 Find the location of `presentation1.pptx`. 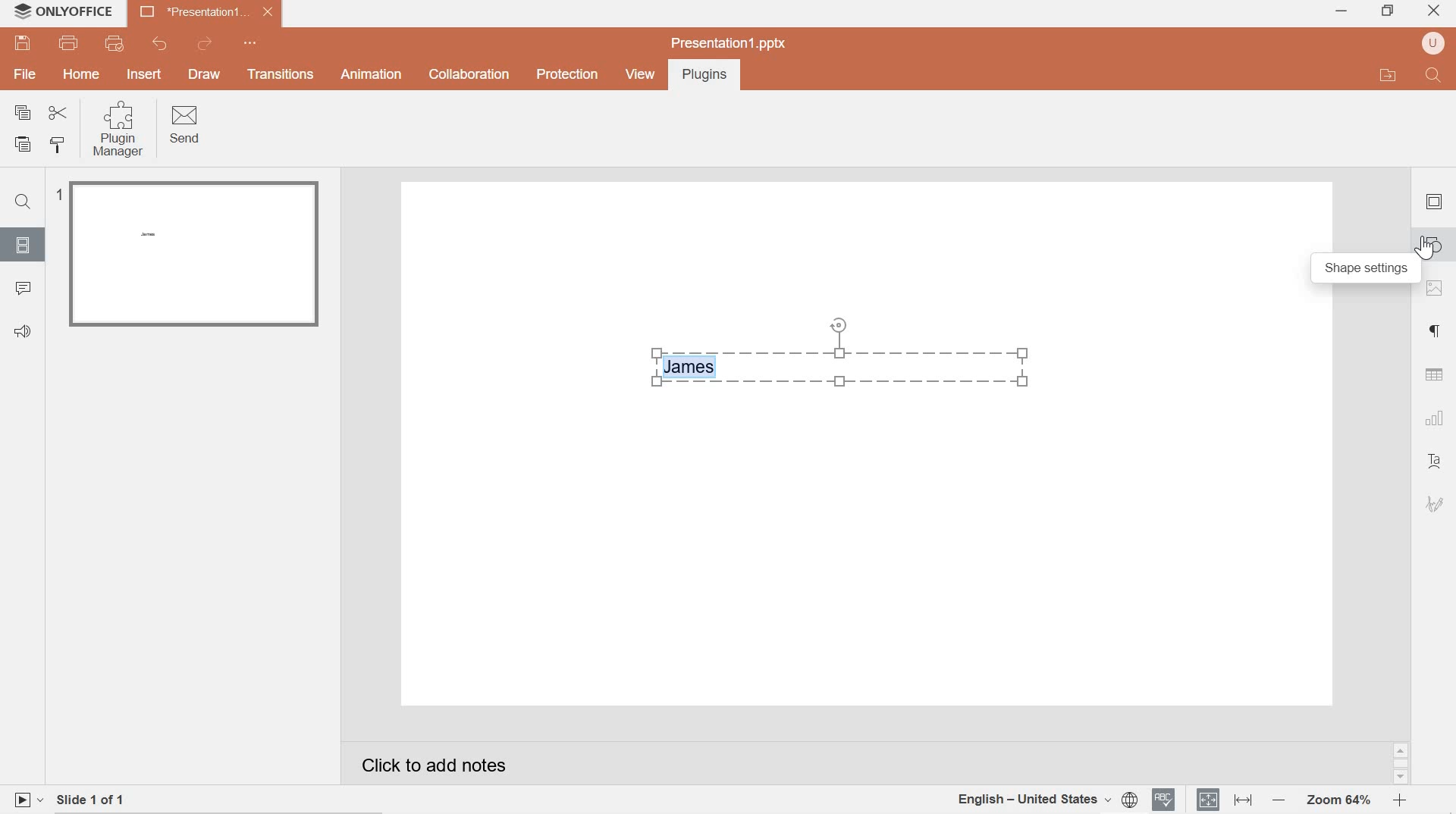

presentation1.pptx is located at coordinates (728, 42).